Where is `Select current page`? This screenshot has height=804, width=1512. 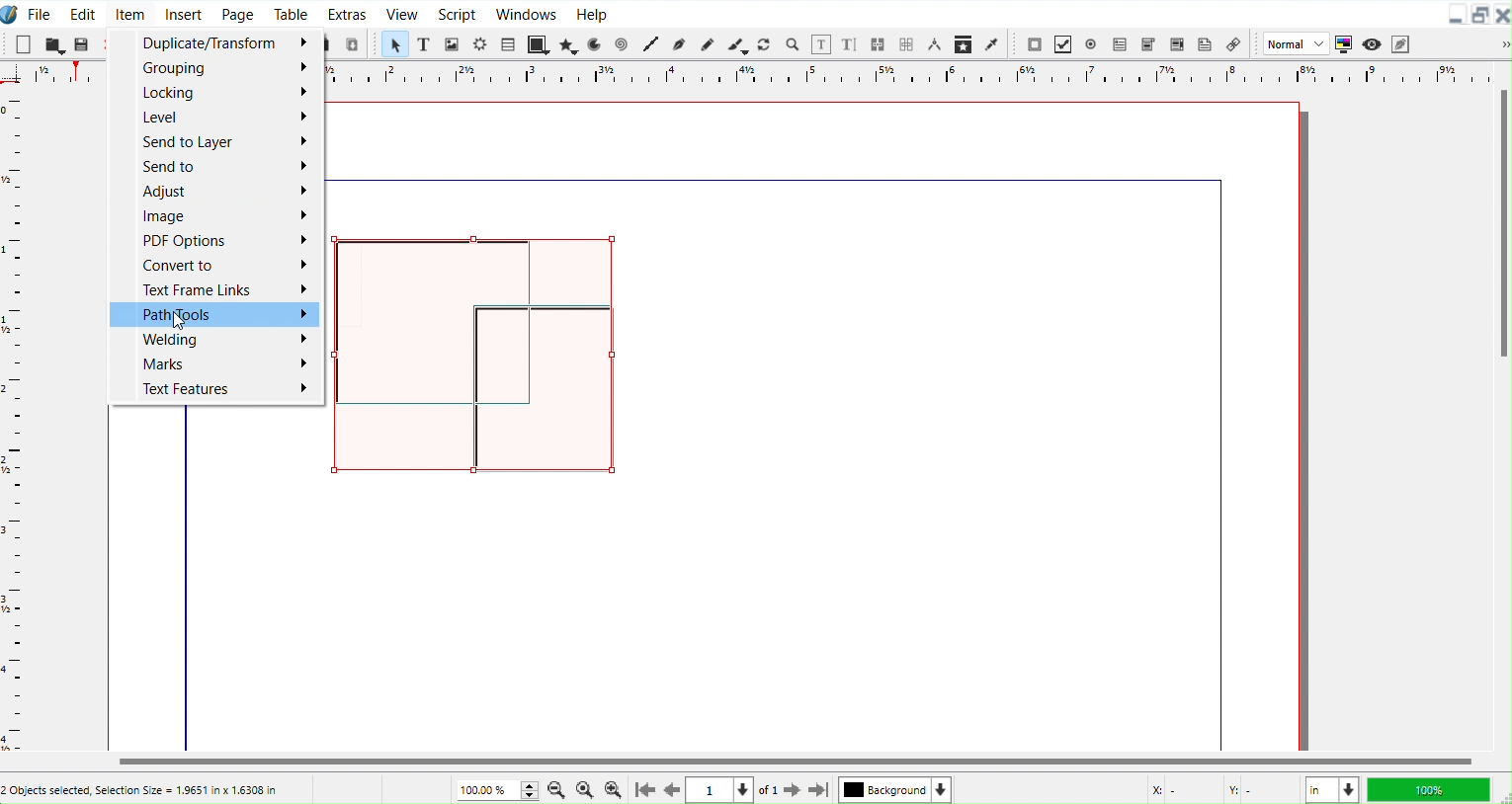
Select current page is located at coordinates (721, 790).